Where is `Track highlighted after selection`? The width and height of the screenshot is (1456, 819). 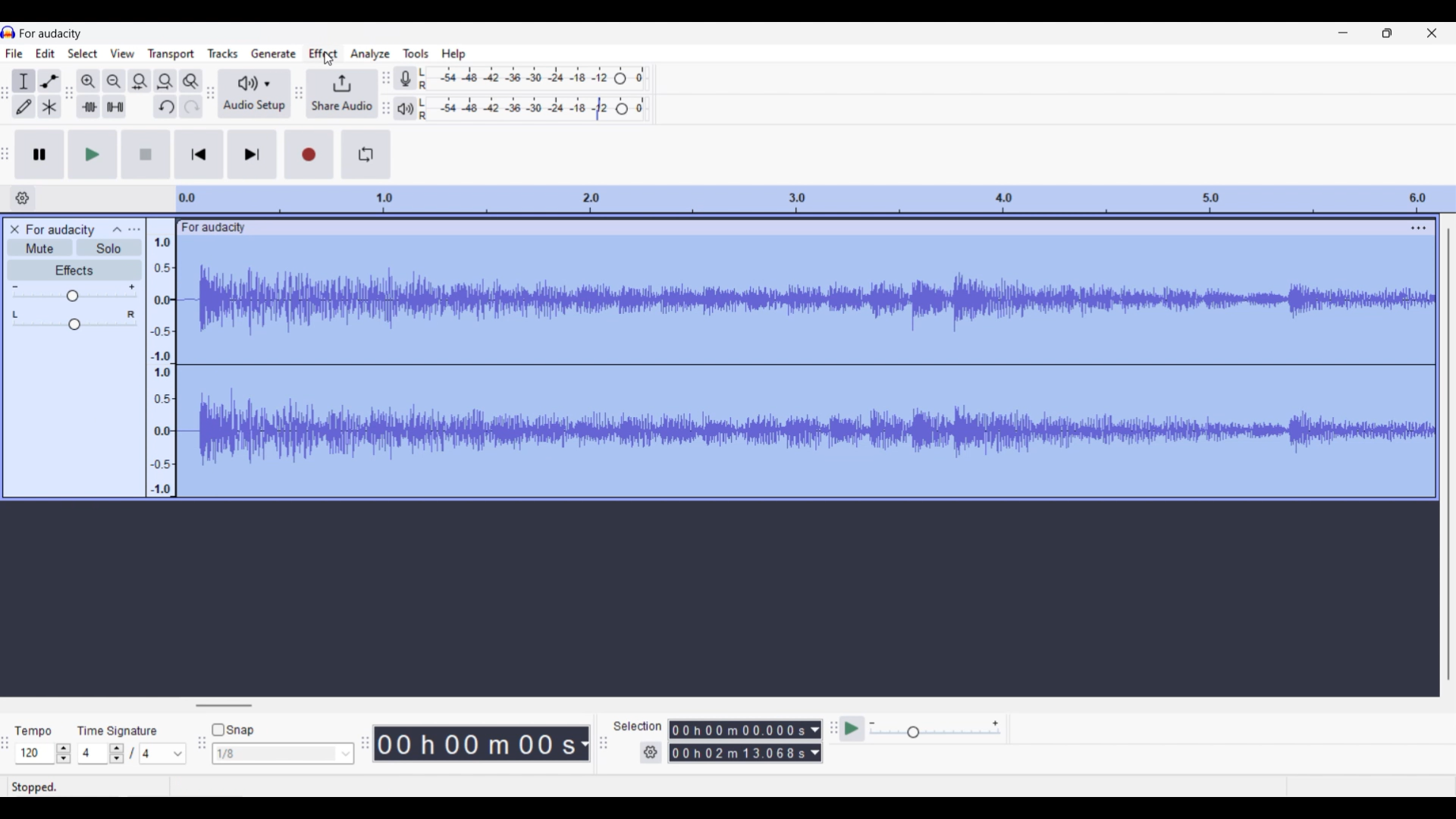
Track highlighted after selection is located at coordinates (810, 367).